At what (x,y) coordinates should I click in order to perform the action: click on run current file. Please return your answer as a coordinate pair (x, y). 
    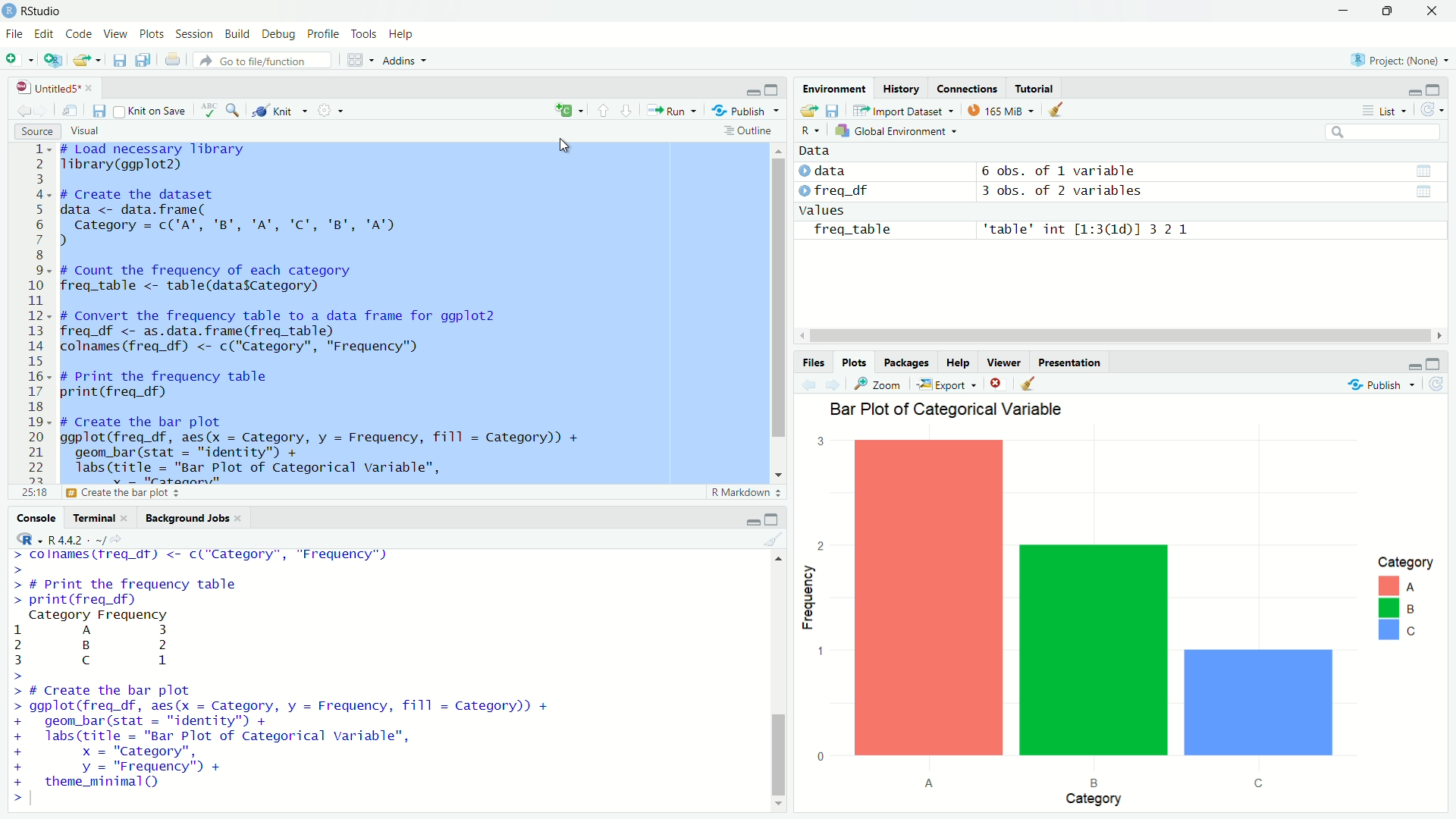
    Looking at the image, I should click on (677, 111).